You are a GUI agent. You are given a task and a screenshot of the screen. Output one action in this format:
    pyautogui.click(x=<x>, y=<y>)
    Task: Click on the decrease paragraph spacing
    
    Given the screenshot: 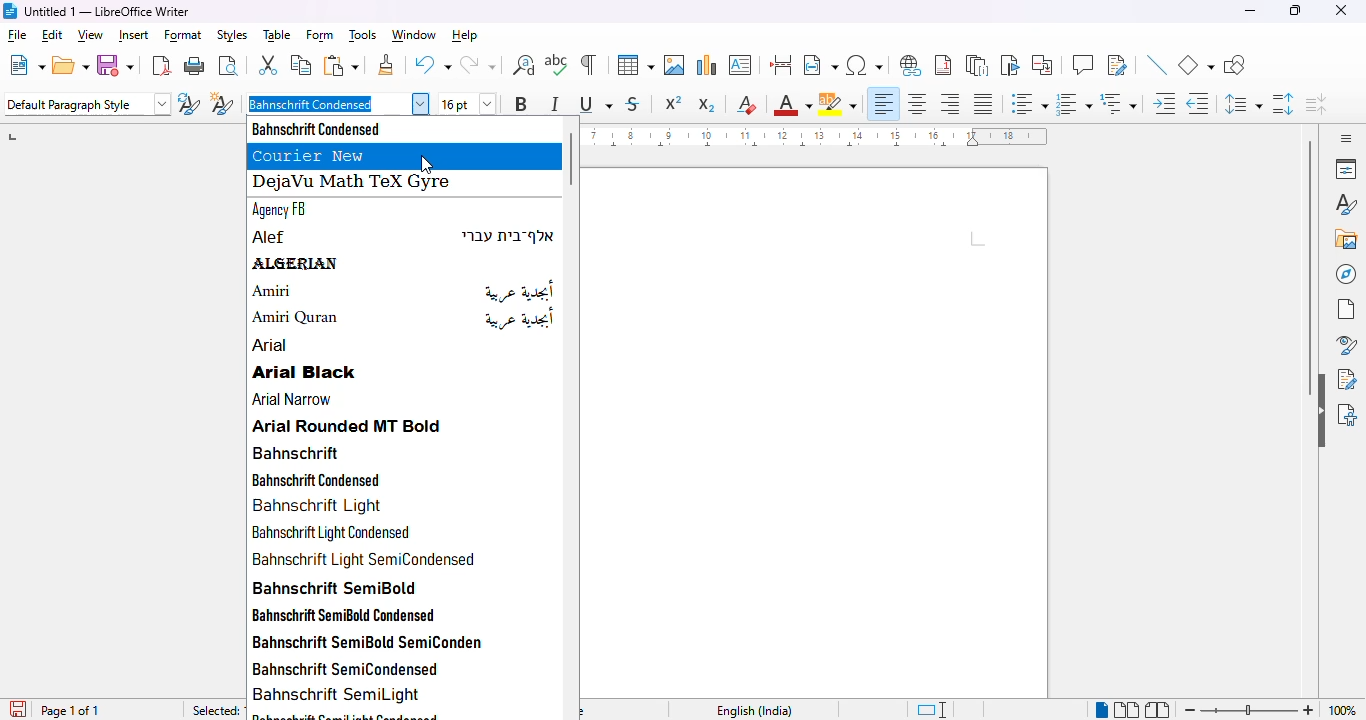 What is the action you would take?
    pyautogui.click(x=1317, y=105)
    